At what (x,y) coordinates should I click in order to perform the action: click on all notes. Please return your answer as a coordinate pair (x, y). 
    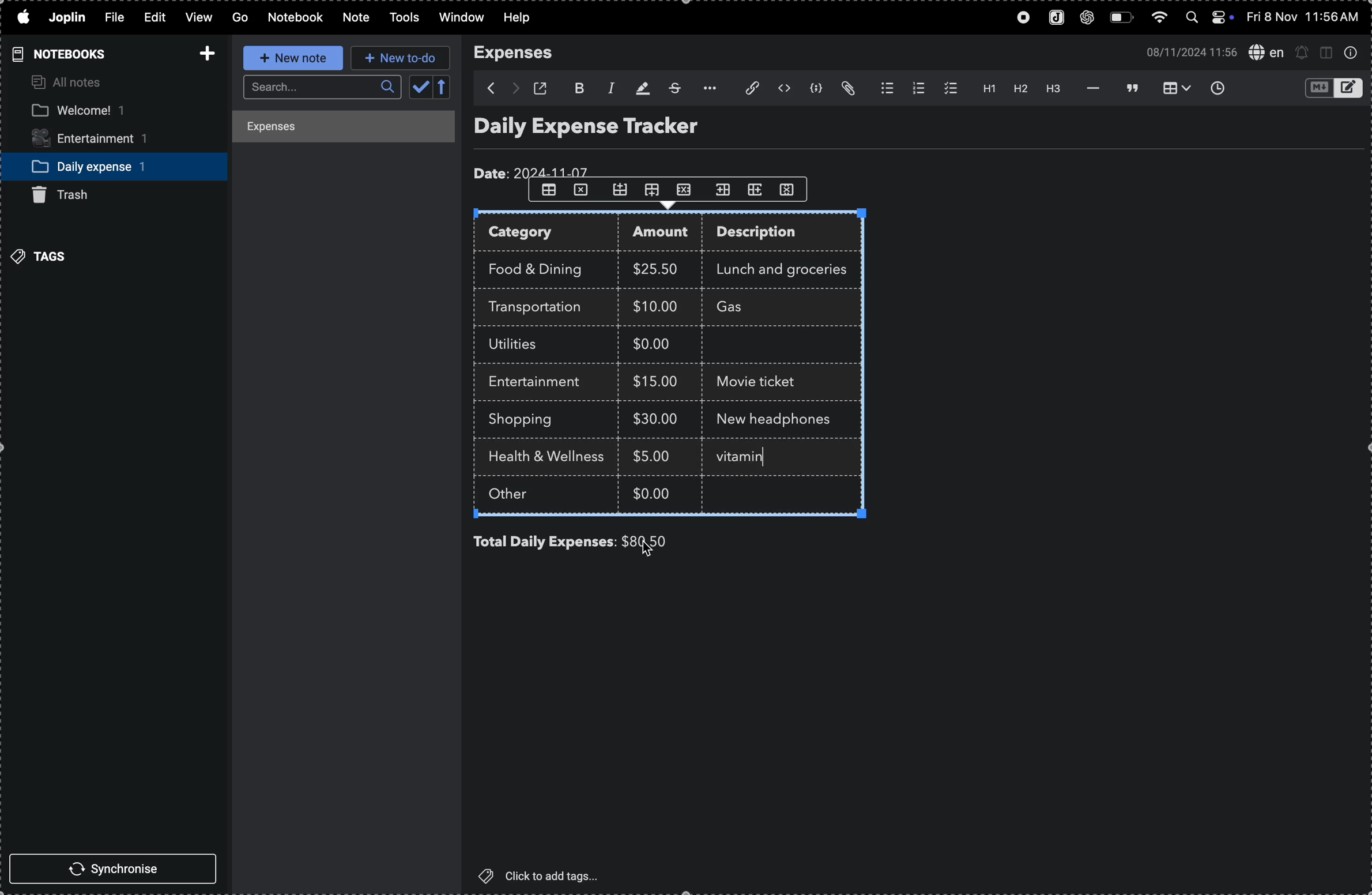
    Looking at the image, I should click on (69, 83).